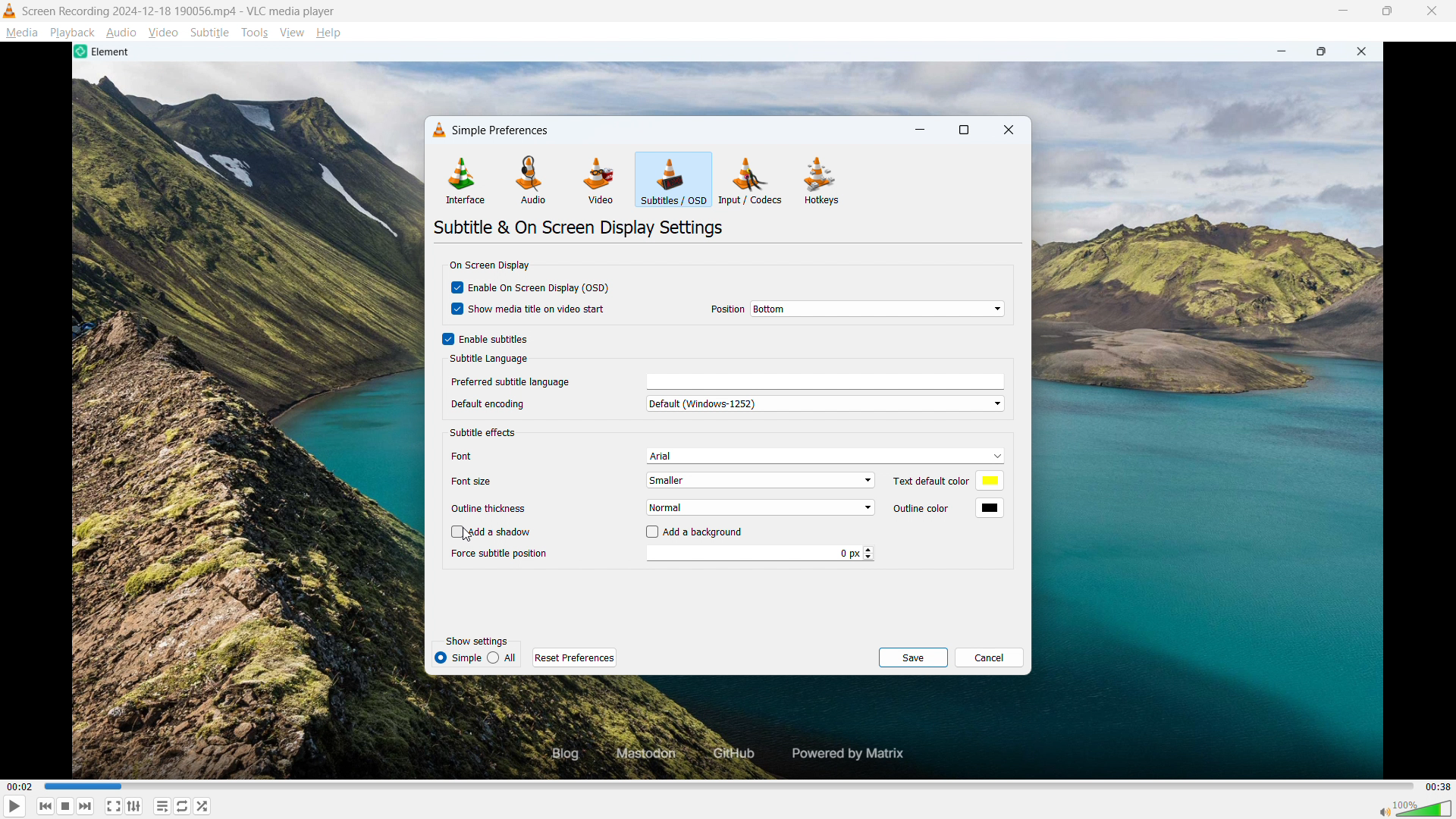 The height and width of the screenshot is (819, 1456). I want to click on VLC Logo , so click(9, 11).